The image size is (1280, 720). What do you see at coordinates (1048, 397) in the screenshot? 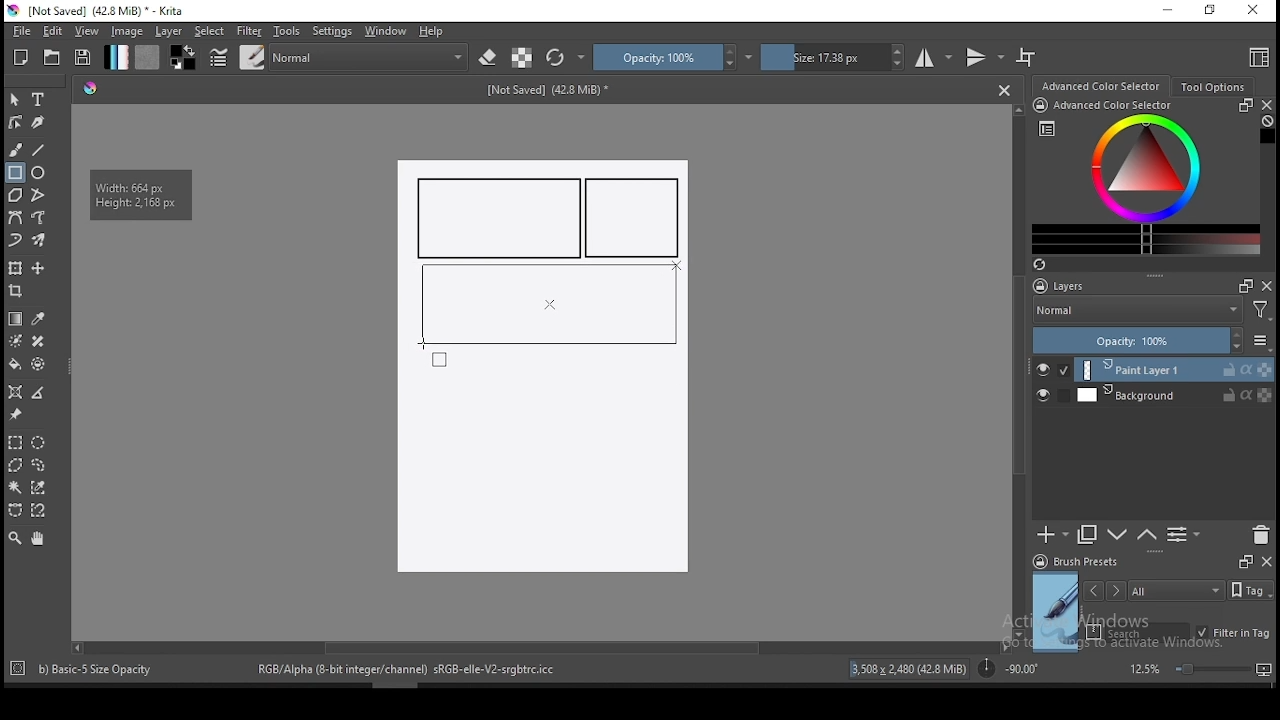
I see `layer visibility on/off` at bounding box center [1048, 397].